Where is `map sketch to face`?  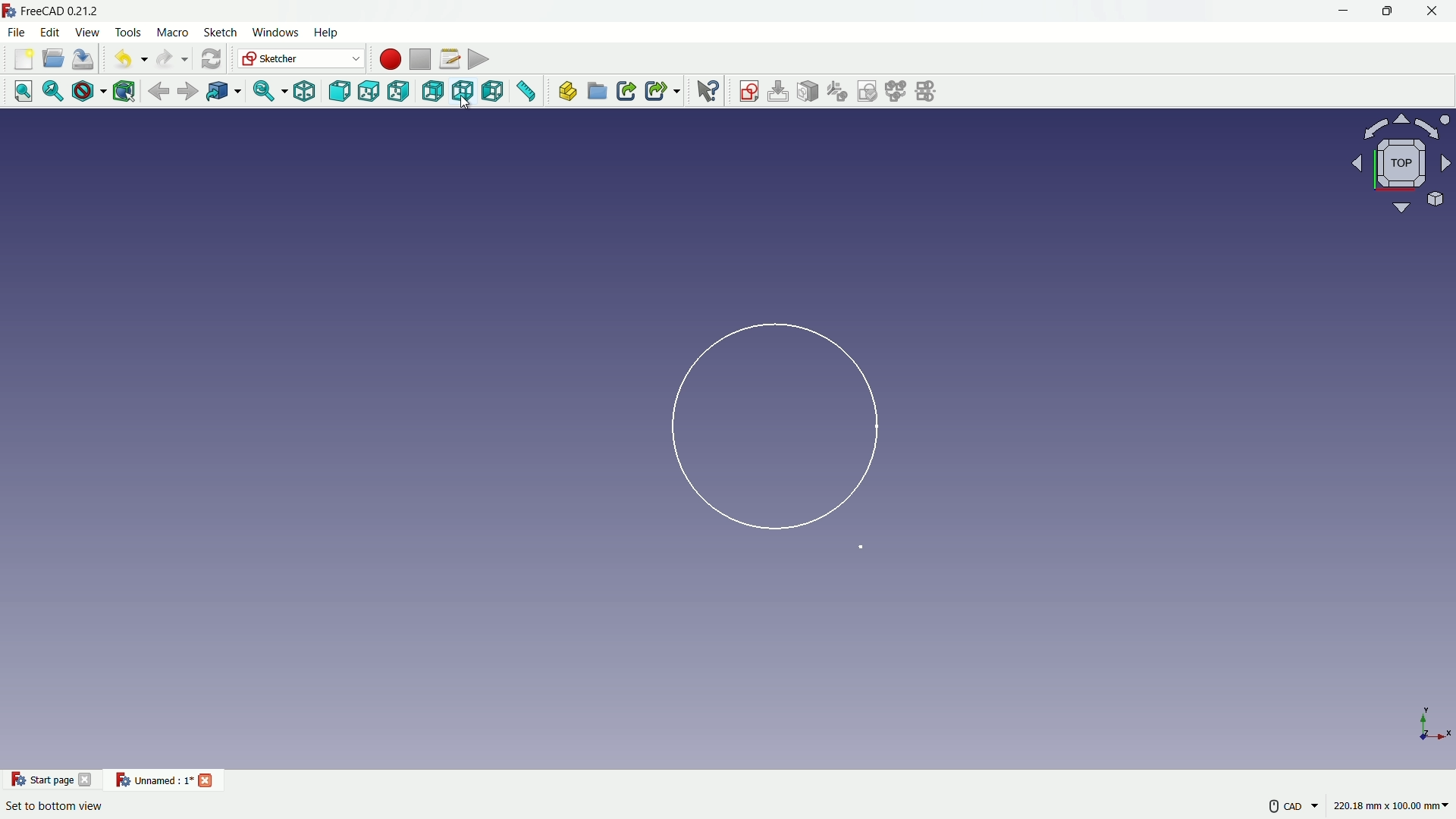
map sketch to face is located at coordinates (809, 92).